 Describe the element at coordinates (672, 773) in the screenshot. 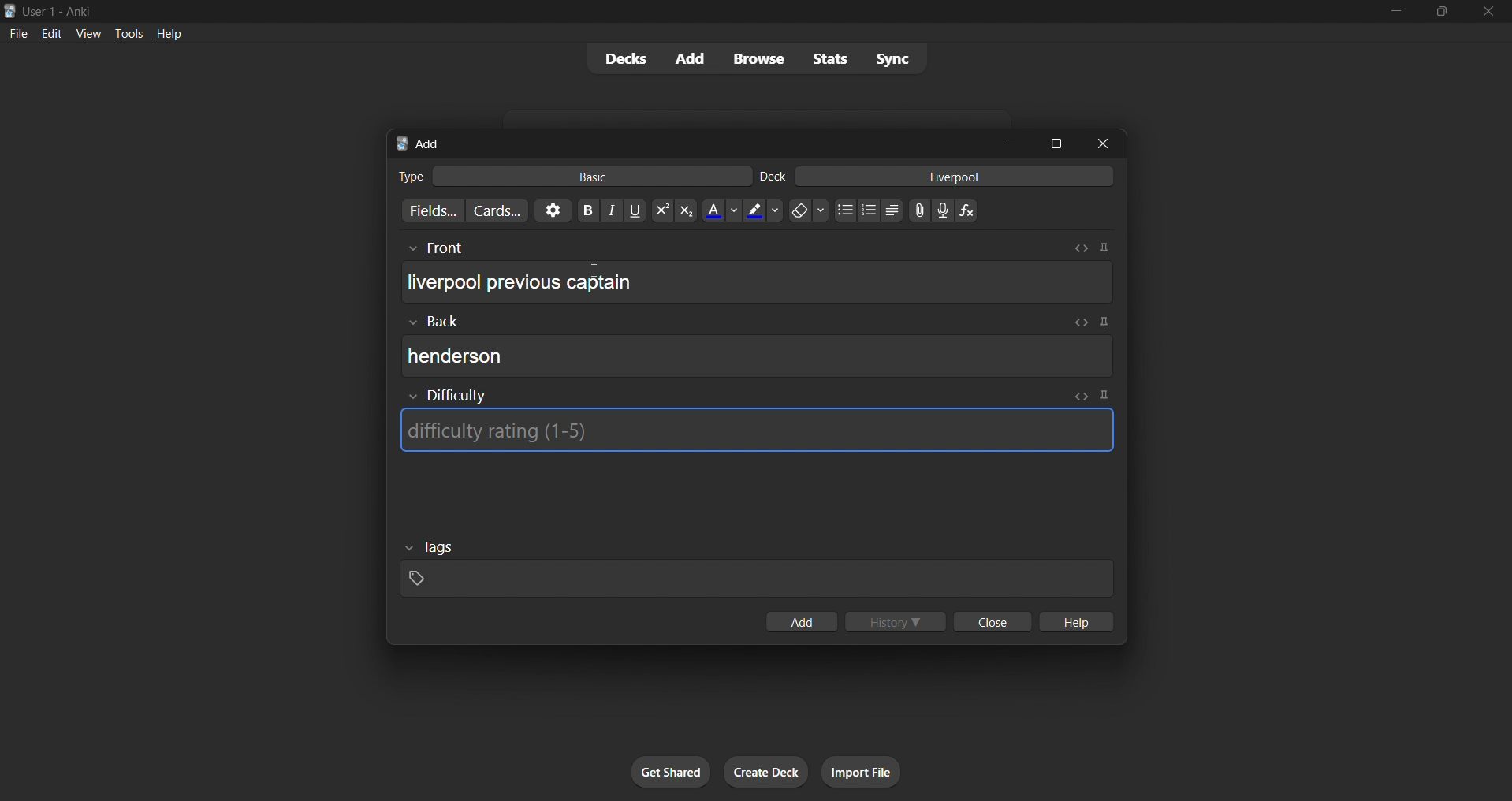

I see `get shared` at that location.